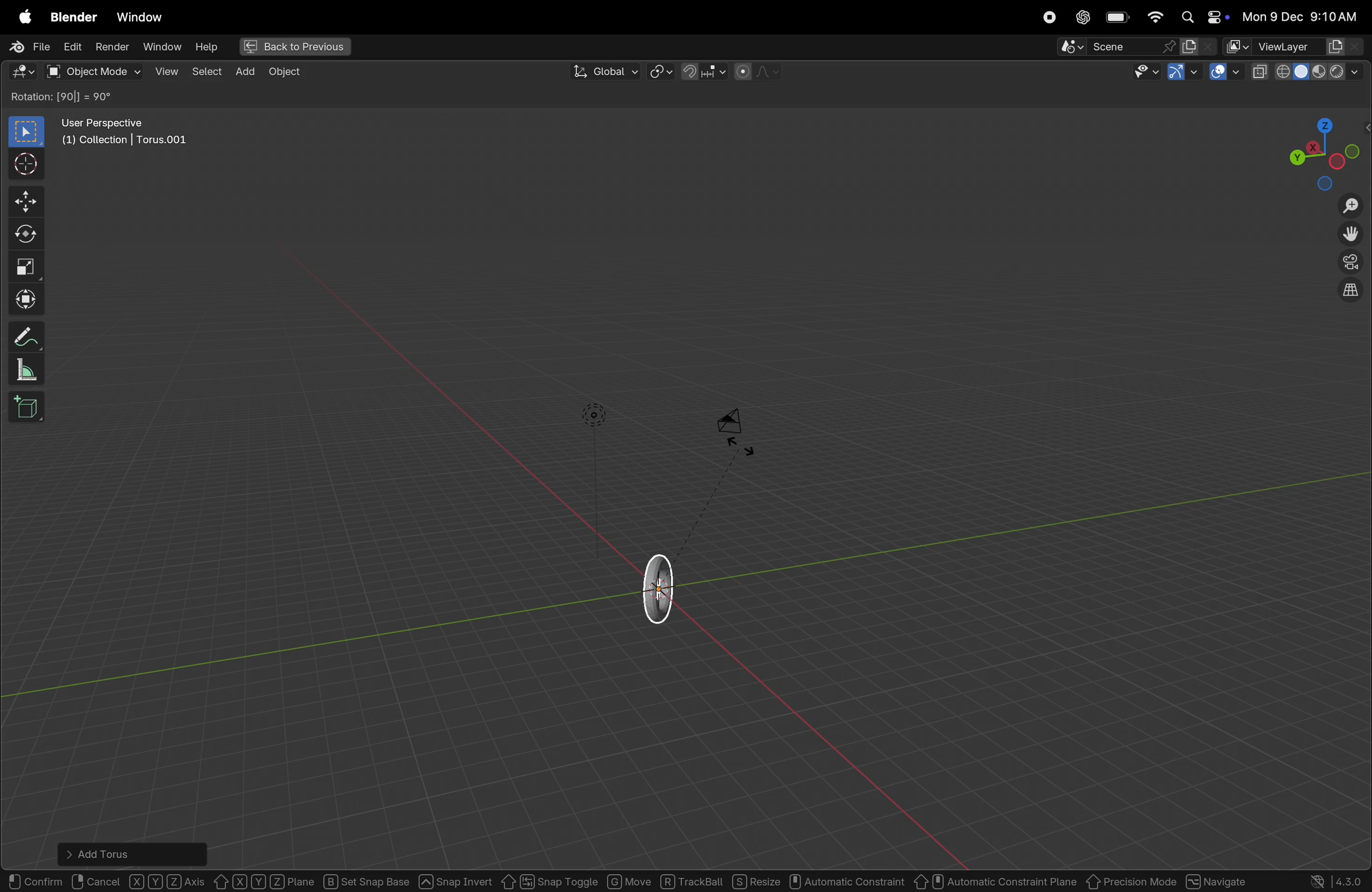 This screenshot has width=1372, height=892. What do you see at coordinates (367, 879) in the screenshot?
I see `Set Snap Base` at bounding box center [367, 879].